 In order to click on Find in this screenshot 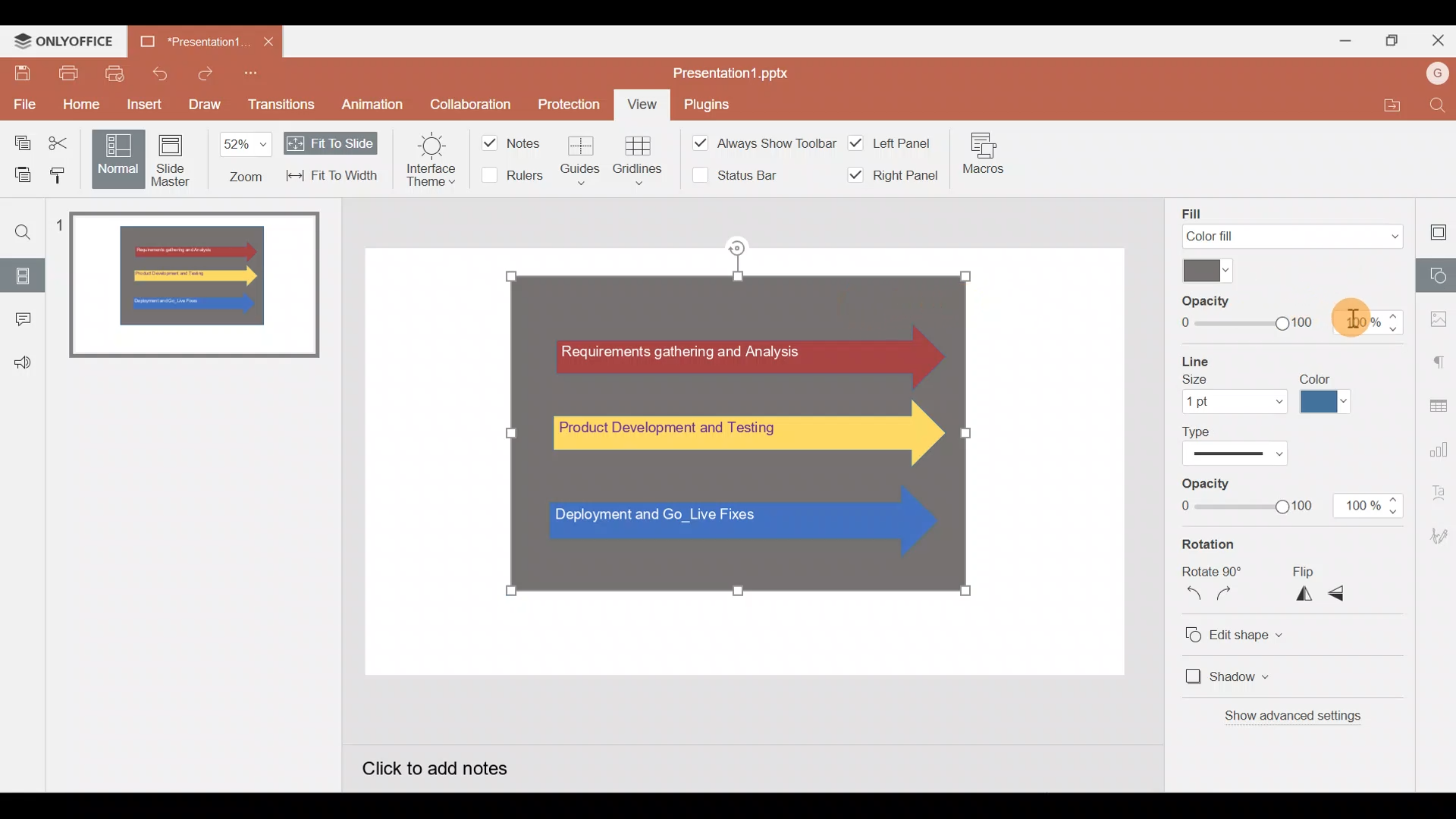, I will do `click(23, 230)`.